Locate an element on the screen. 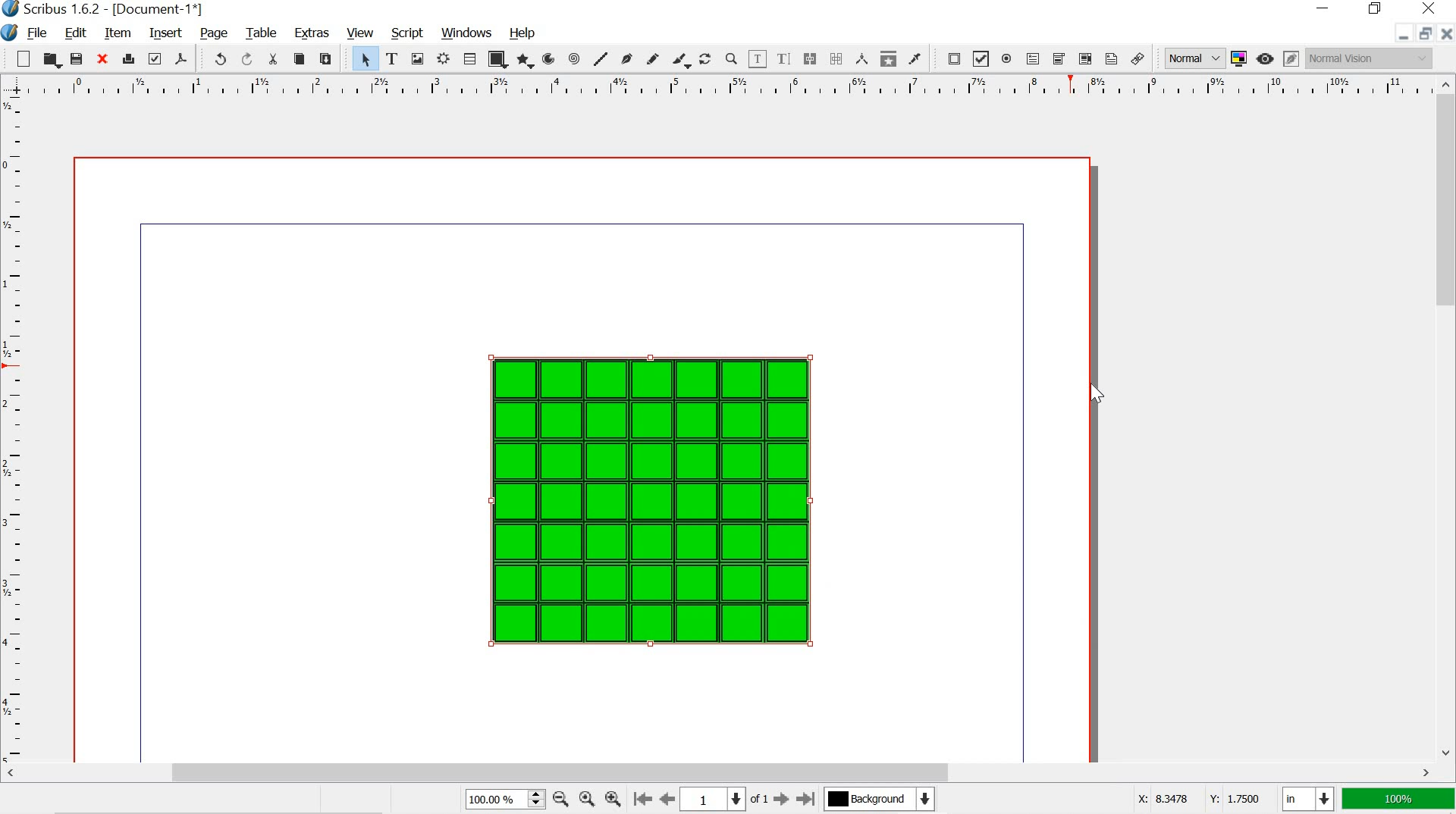 This screenshot has width=1456, height=814. toggle color management system is located at coordinates (1238, 57).